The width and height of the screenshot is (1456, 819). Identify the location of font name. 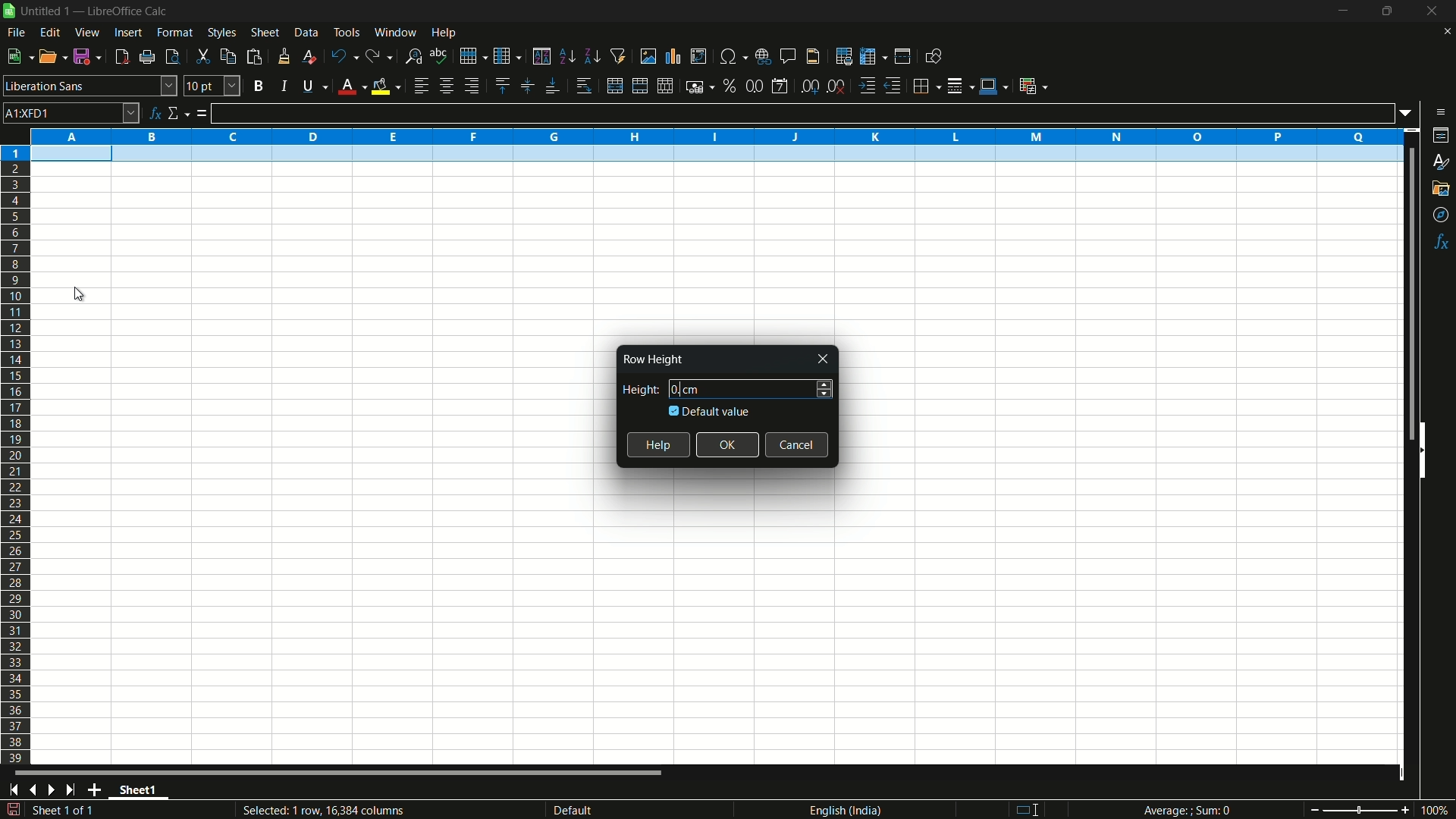
(90, 86).